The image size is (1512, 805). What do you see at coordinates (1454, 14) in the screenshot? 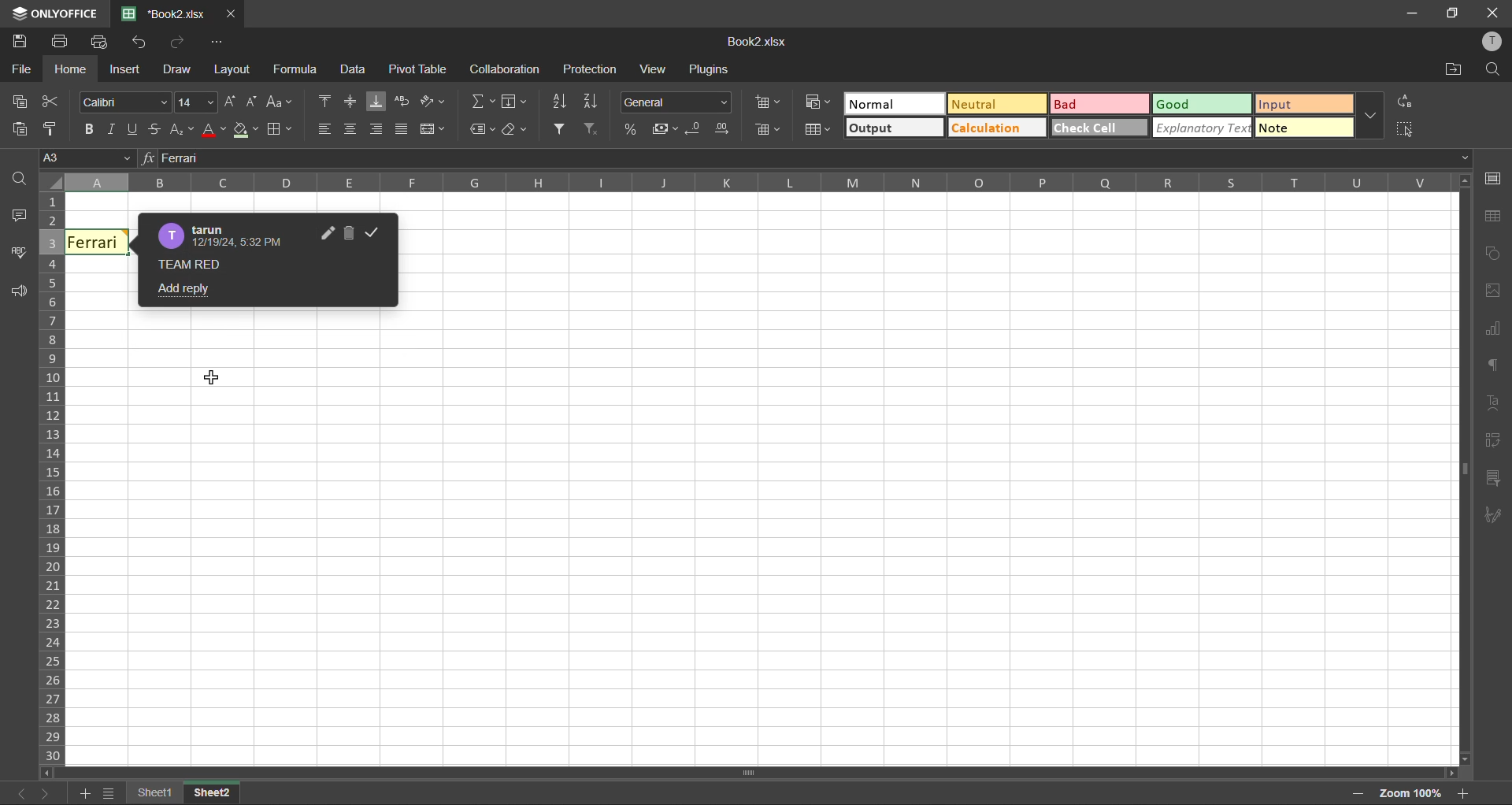
I see `Full Screen` at bounding box center [1454, 14].